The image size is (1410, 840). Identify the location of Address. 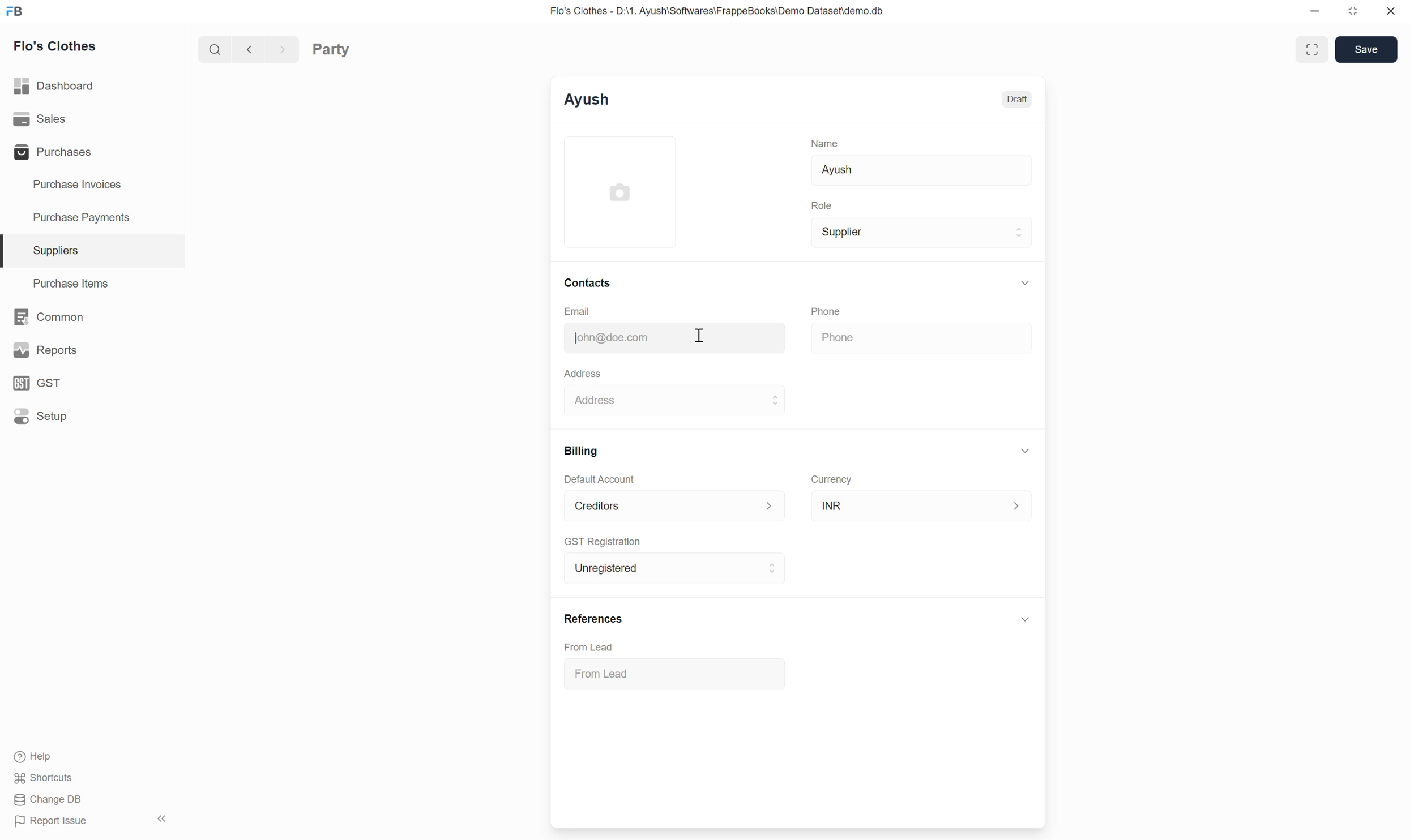
(583, 373).